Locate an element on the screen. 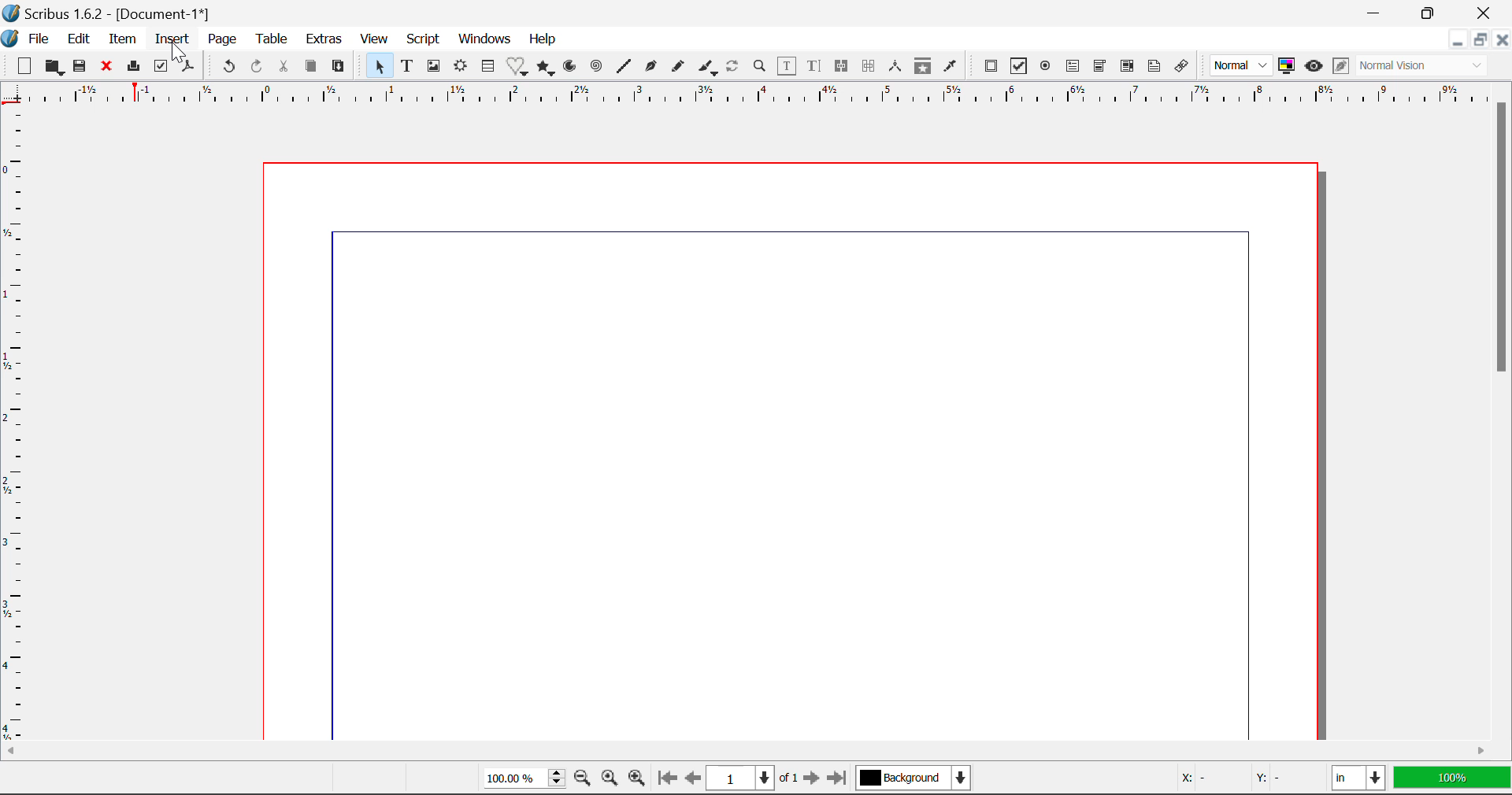  Insert is located at coordinates (170, 39).